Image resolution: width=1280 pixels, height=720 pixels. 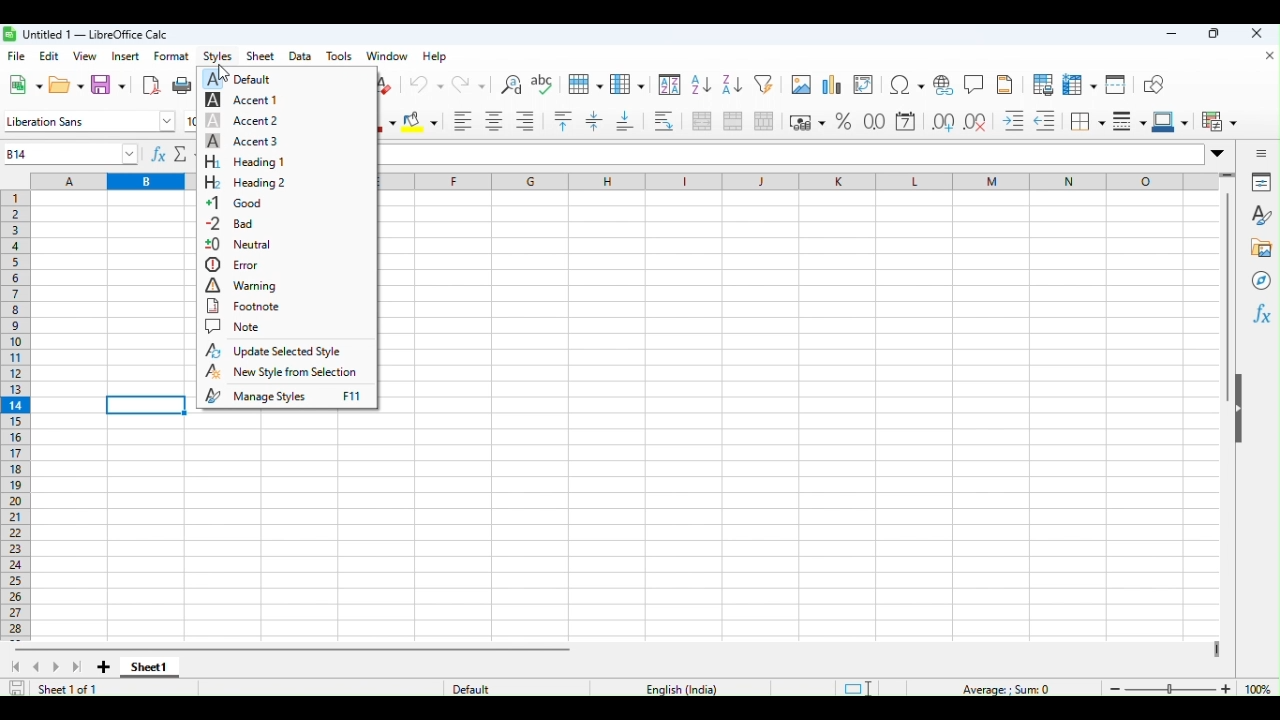 I want to click on Insert image, so click(x=801, y=84).